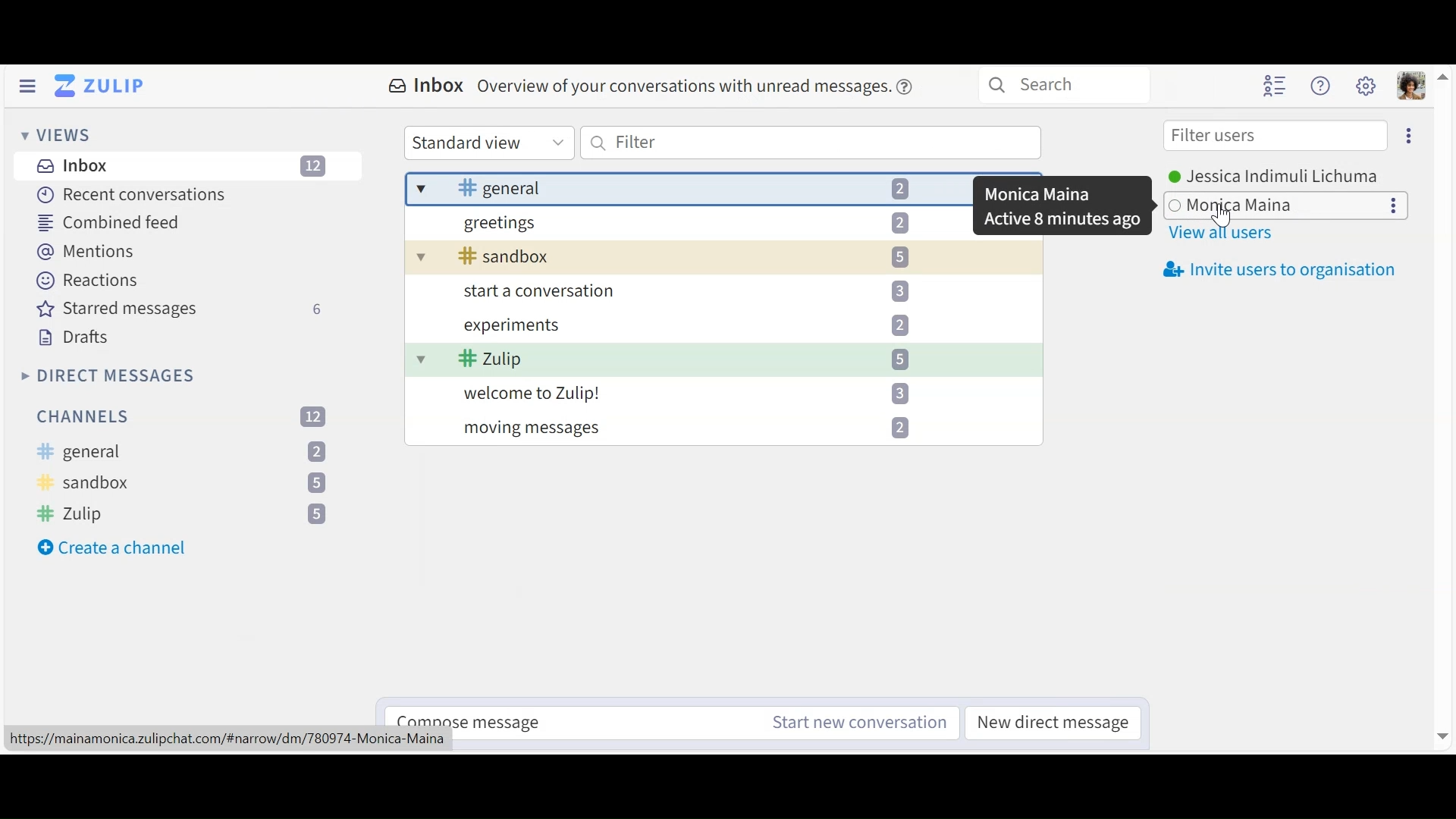 Image resolution: width=1456 pixels, height=819 pixels. I want to click on Recent Conversations, so click(135, 196).